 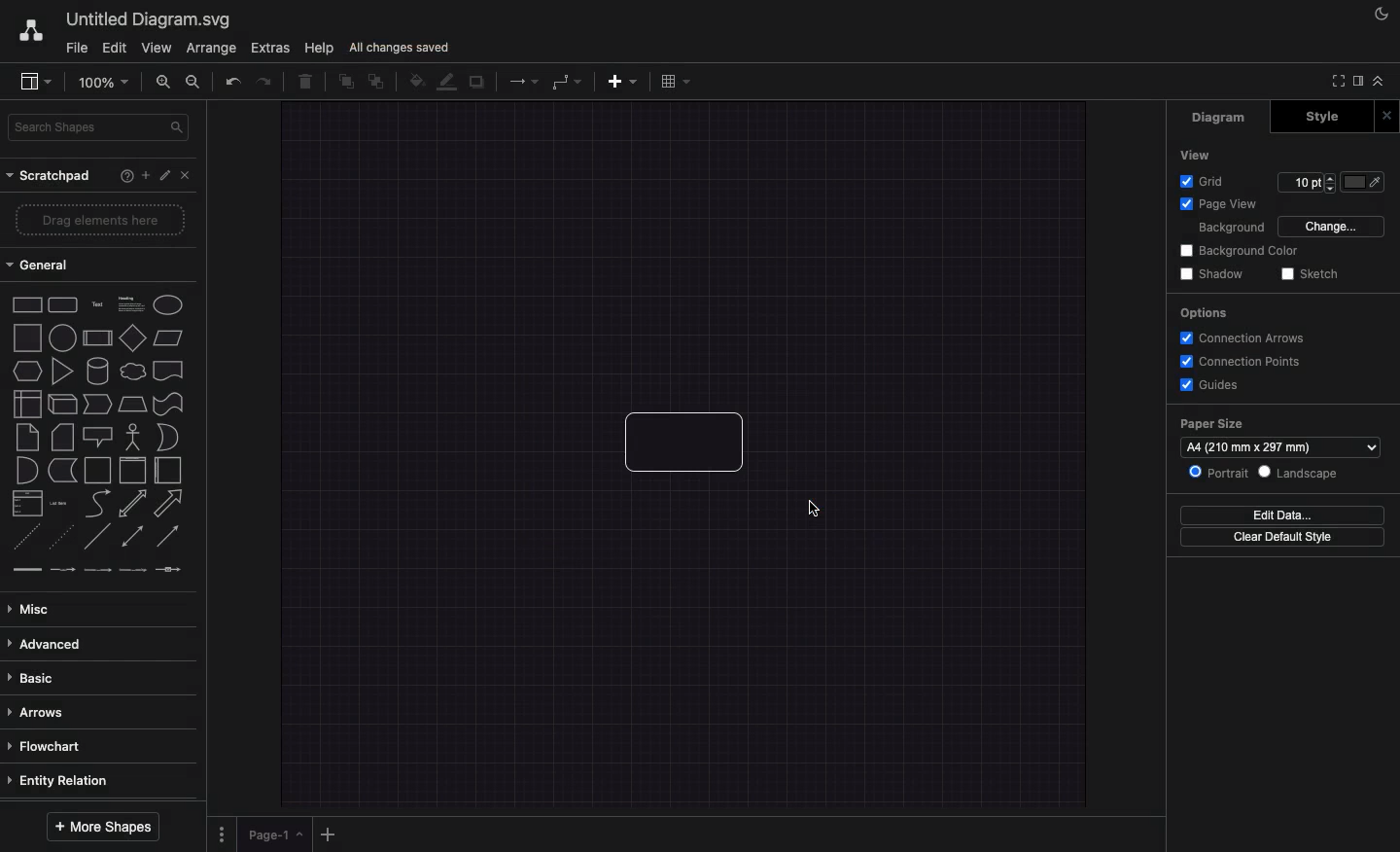 I want to click on Table, so click(x=676, y=81).